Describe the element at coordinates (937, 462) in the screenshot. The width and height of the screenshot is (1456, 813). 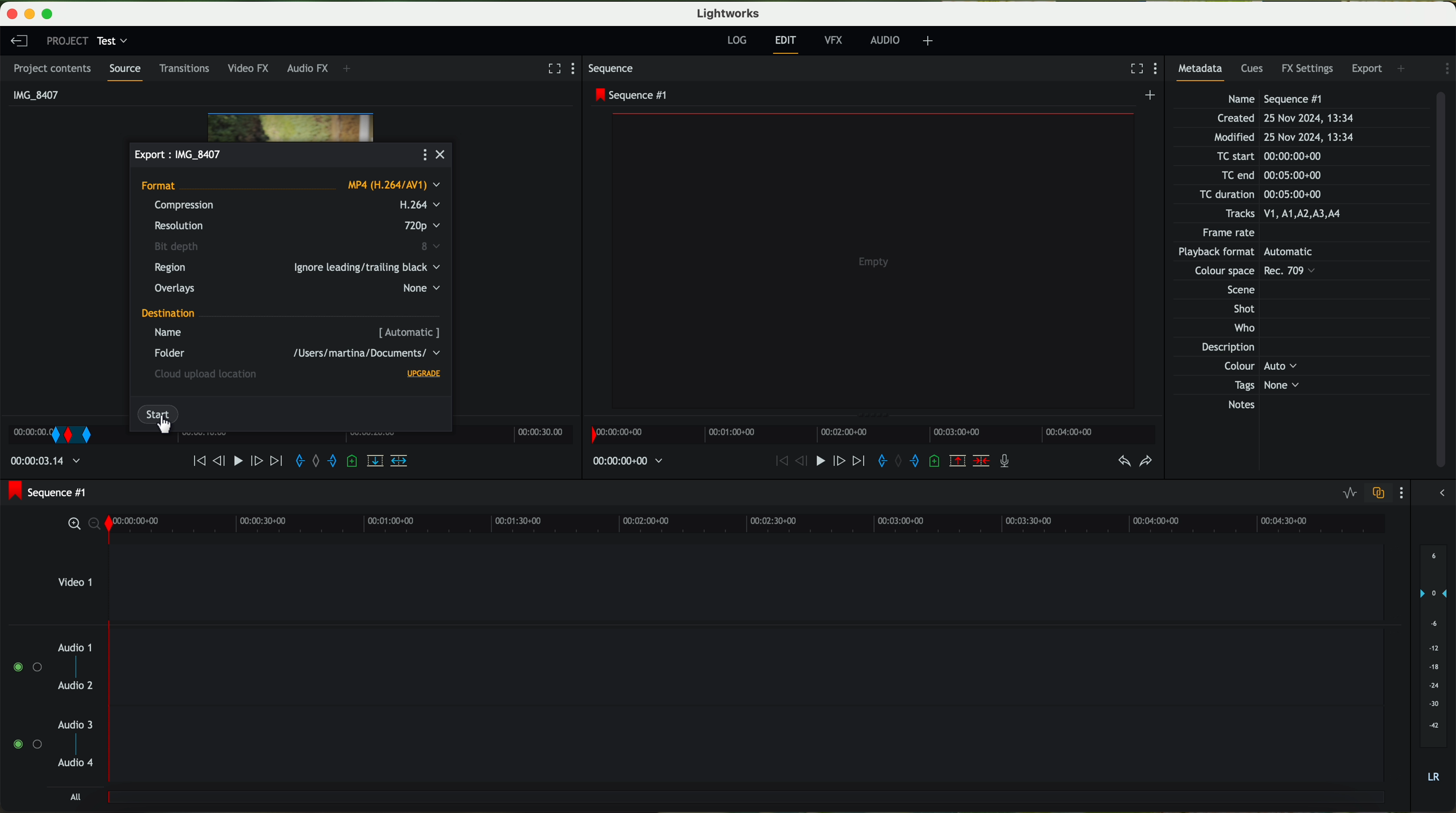
I see `add a cue at the current position` at that location.